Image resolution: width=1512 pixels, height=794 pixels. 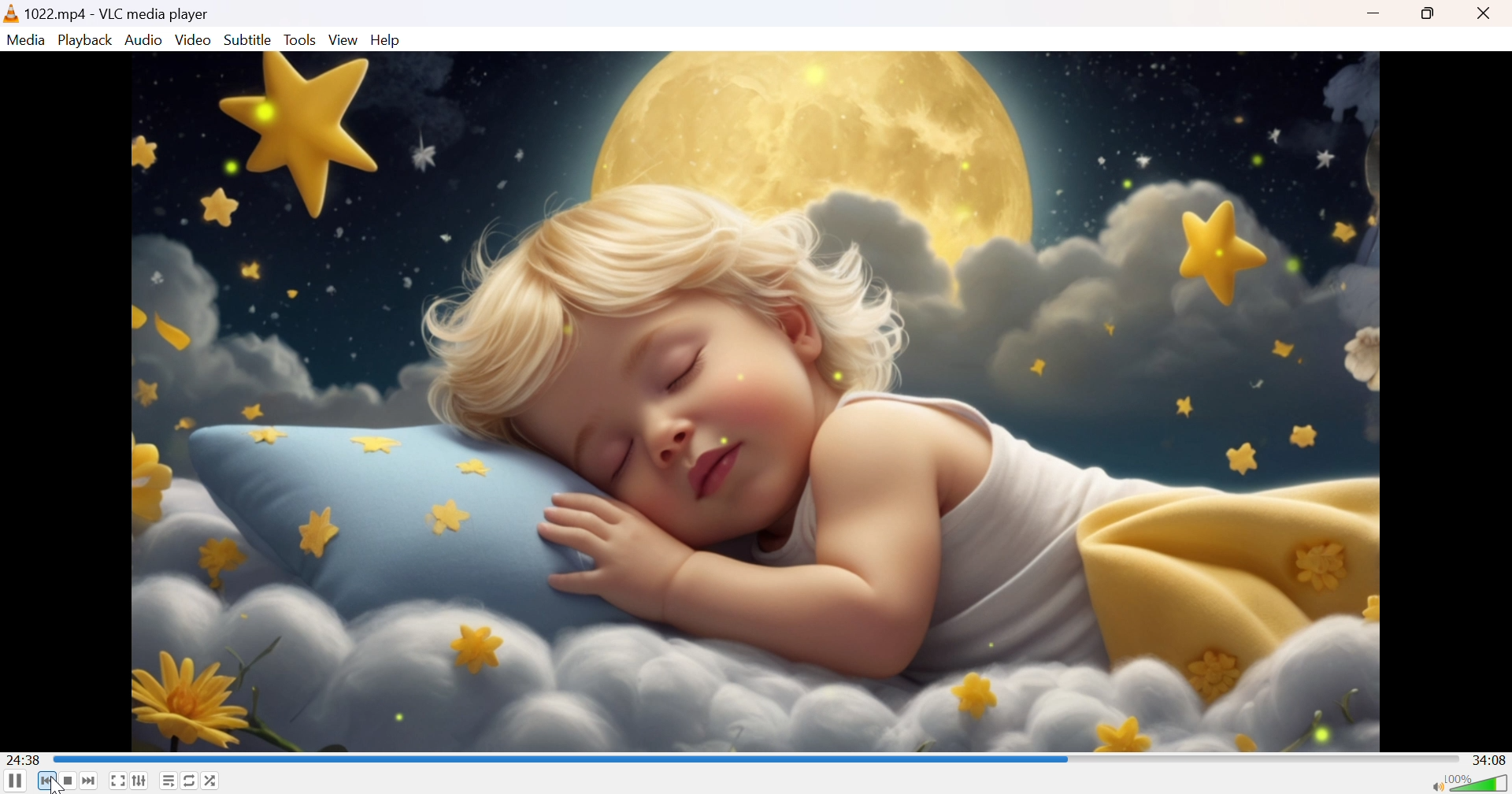 I want to click on Previous media in the playlist, skip backward when held, so click(x=46, y=781).